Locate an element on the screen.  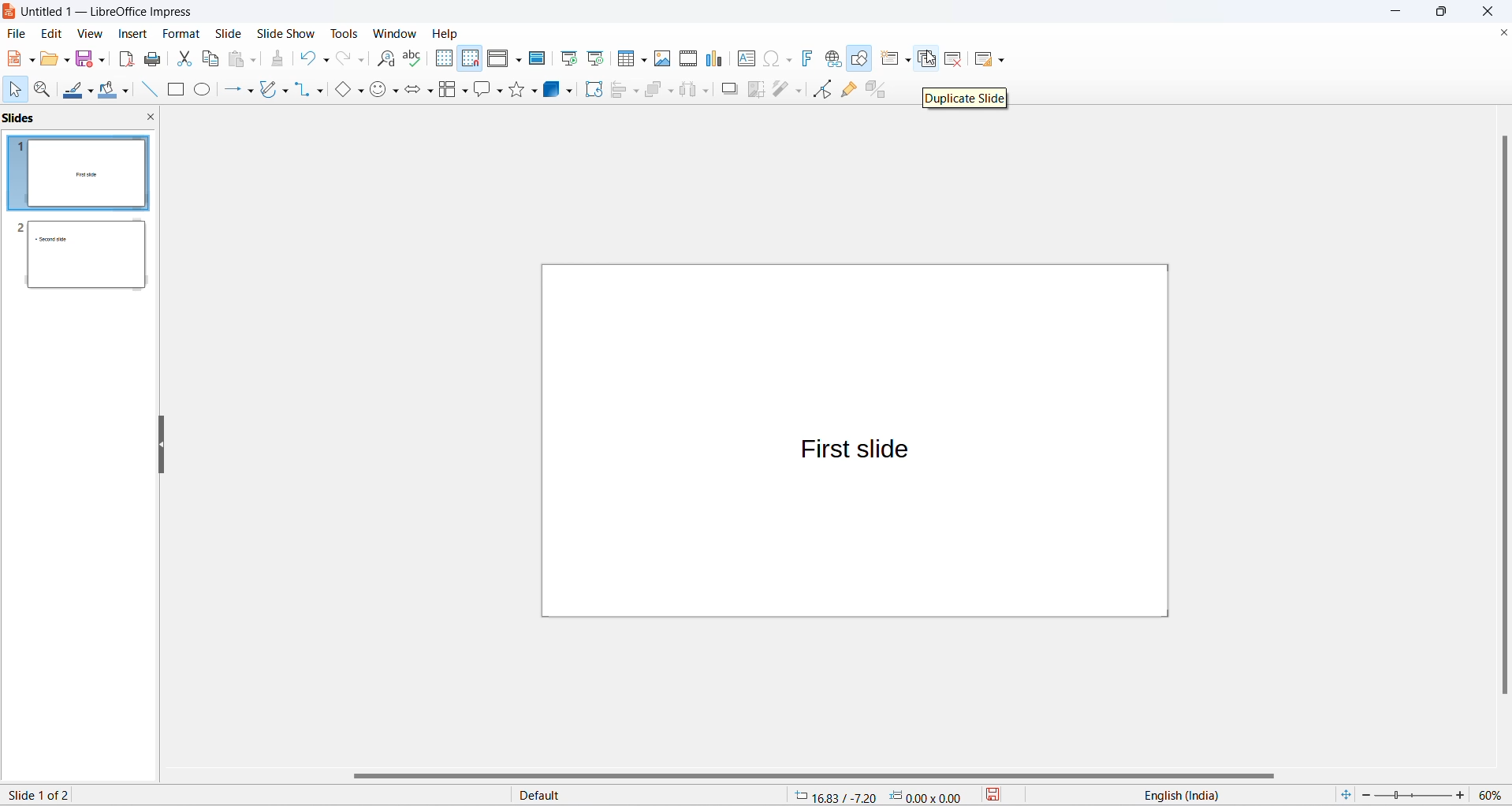
star is located at coordinates (515, 89).